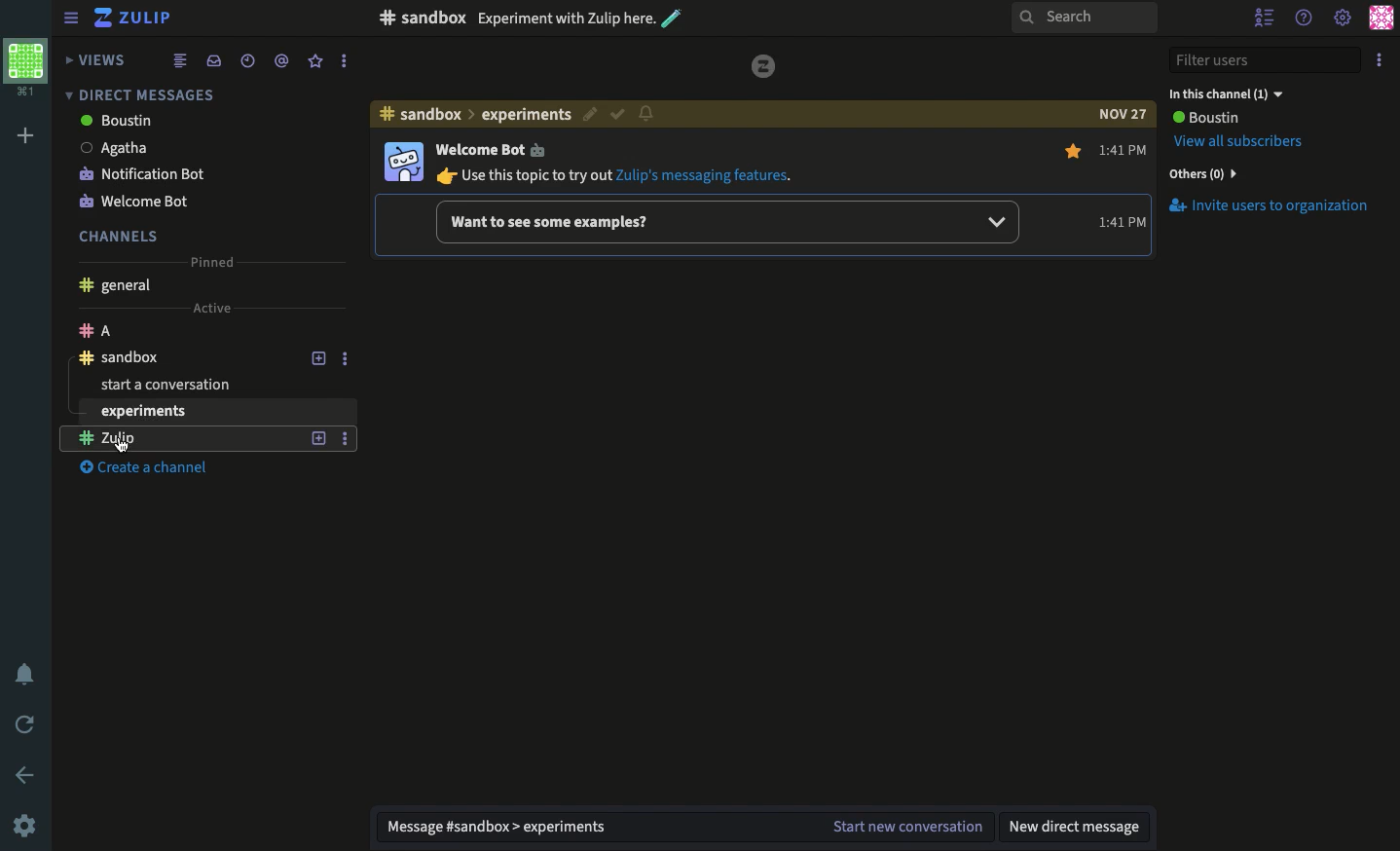  I want to click on Agatha, so click(185, 147).